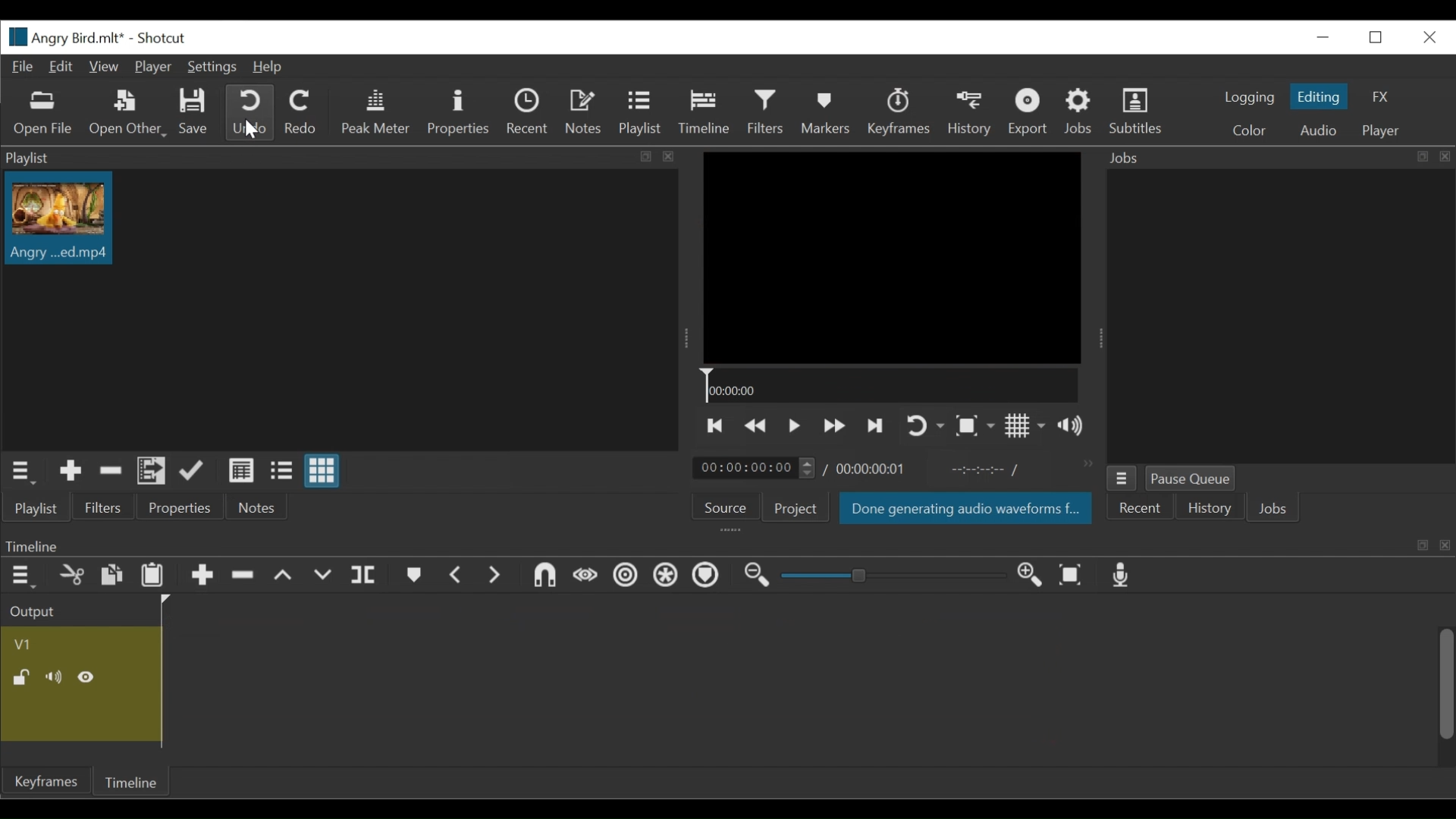  Describe the element at coordinates (494, 575) in the screenshot. I see `next marker` at that location.